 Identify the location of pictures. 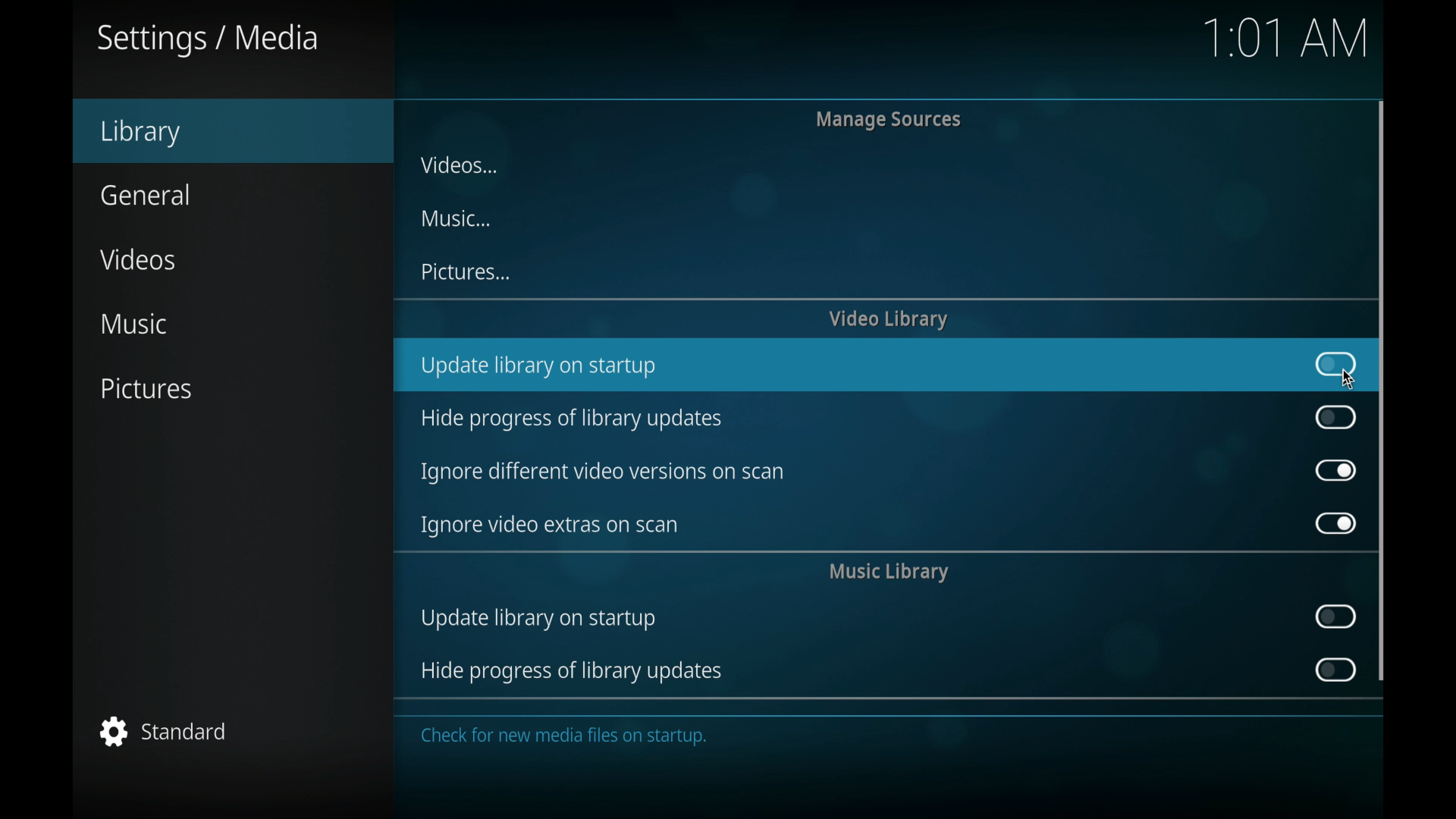
(146, 388).